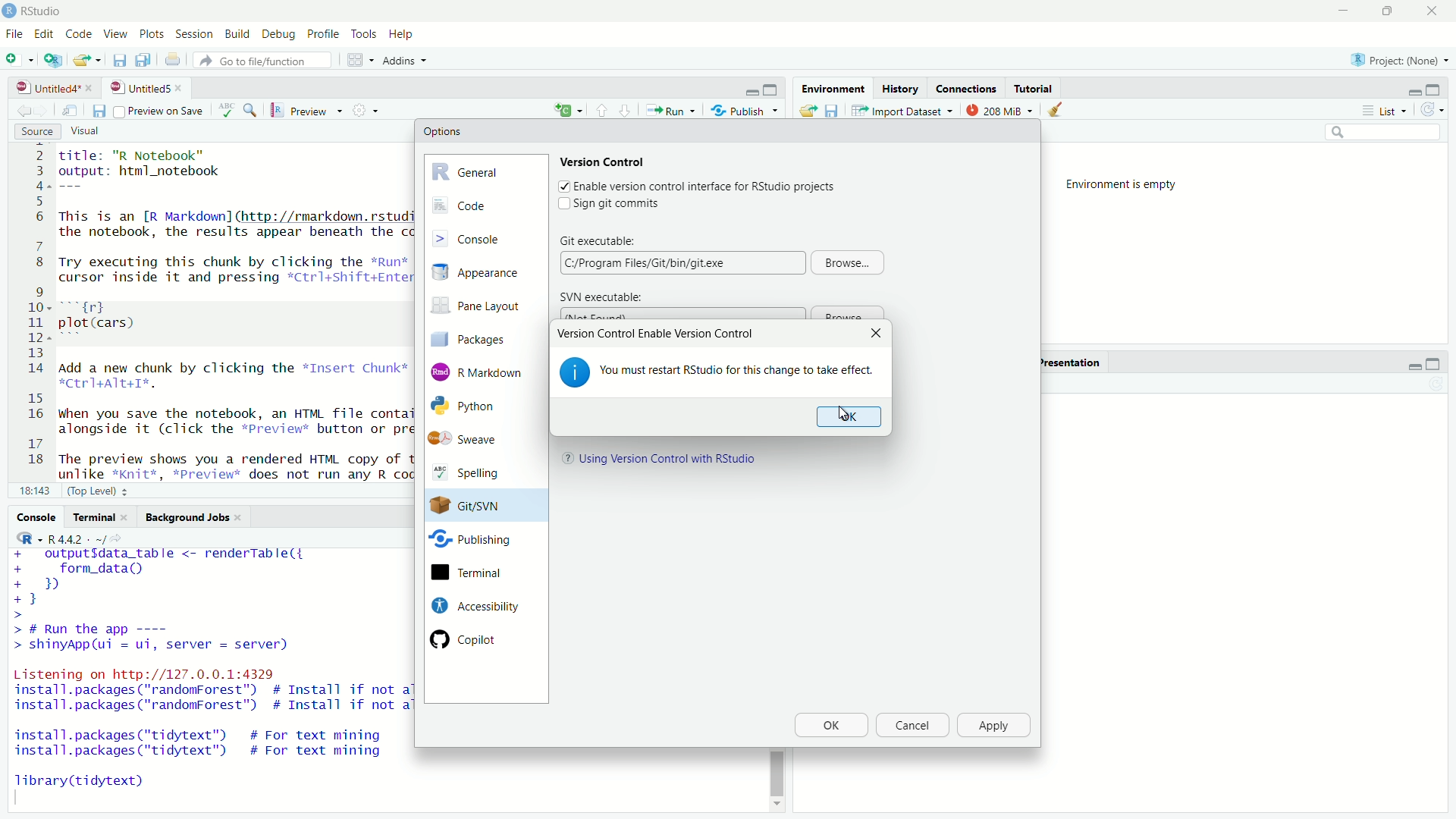 This screenshot has width=1456, height=819. What do you see at coordinates (1127, 185) in the screenshot?
I see `Environment is empty` at bounding box center [1127, 185].